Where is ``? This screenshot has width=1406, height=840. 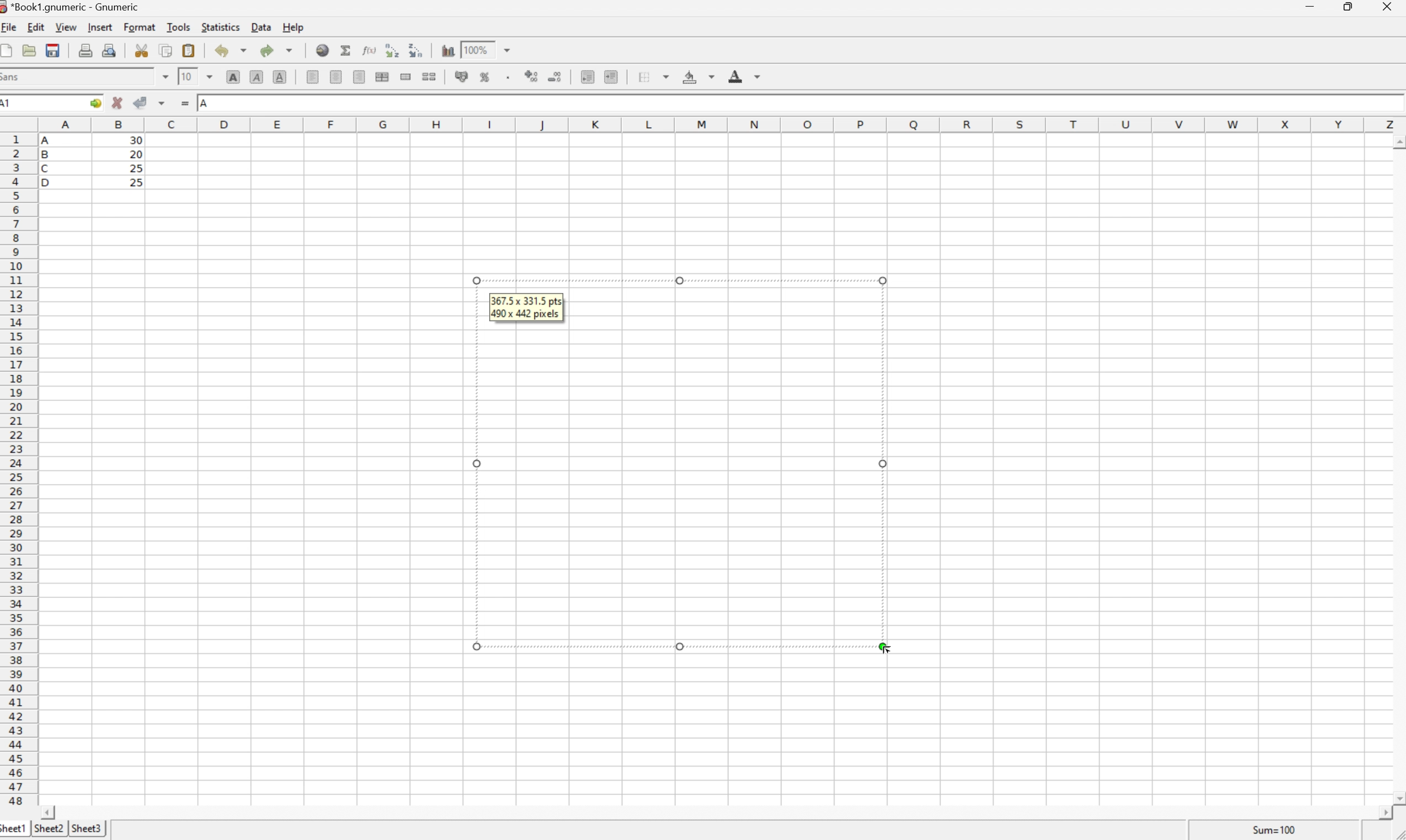  is located at coordinates (485, 650).